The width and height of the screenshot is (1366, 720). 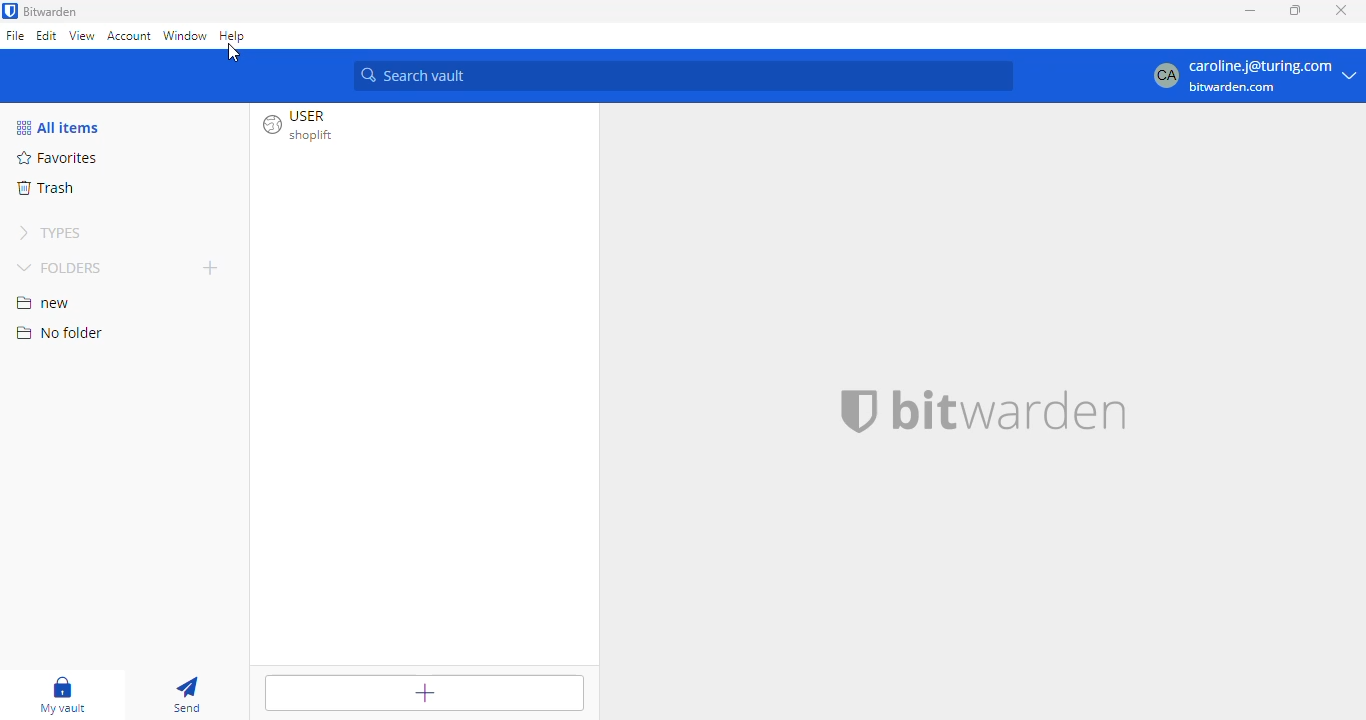 I want to click on caroline.j@turing.com bitwarden.com, so click(x=1272, y=77).